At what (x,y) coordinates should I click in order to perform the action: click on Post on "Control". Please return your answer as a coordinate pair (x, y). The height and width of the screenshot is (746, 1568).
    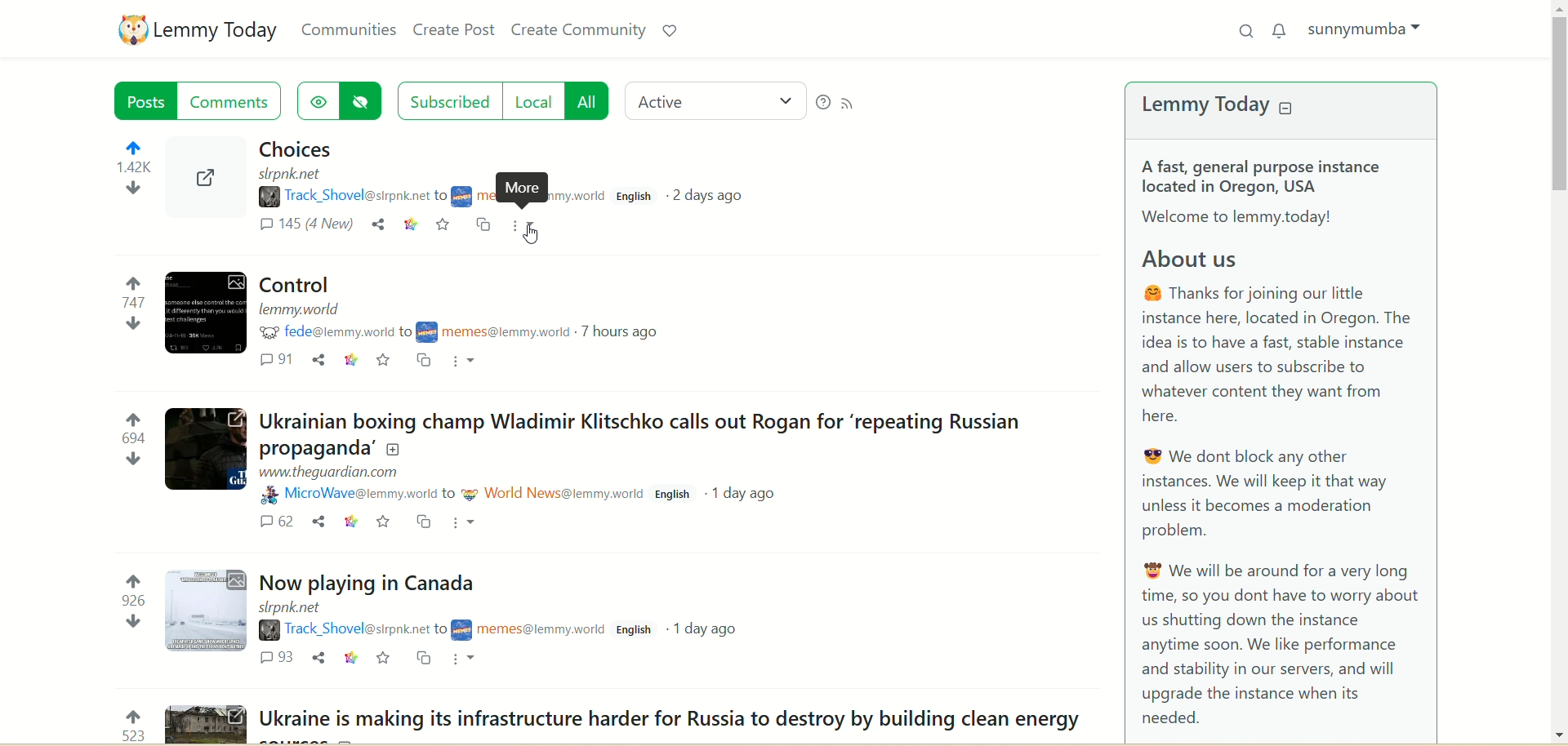
    Looking at the image, I should click on (293, 285).